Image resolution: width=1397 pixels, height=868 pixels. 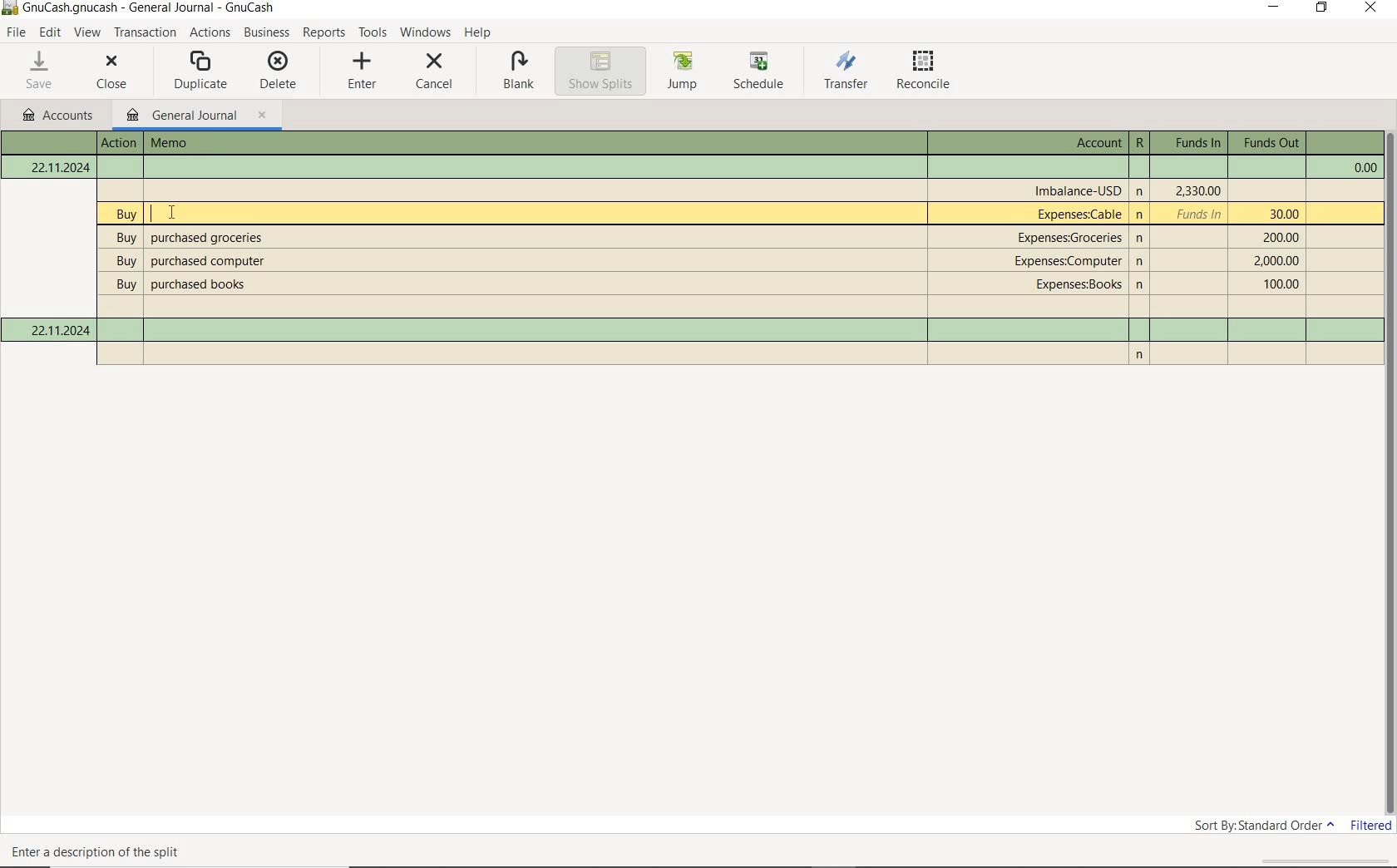 I want to click on show splits, so click(x=600, y=71).